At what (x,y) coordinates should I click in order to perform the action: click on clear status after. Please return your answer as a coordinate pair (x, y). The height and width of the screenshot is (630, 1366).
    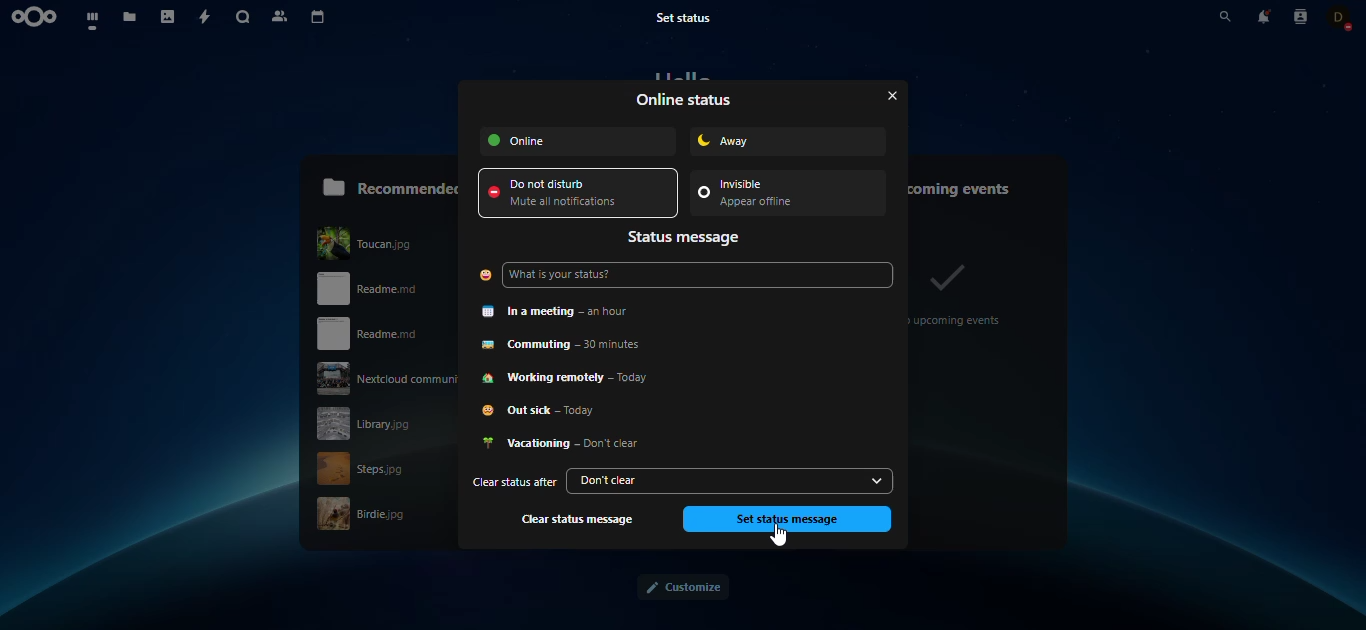
    Looking at the image, I should click on (512, 483).